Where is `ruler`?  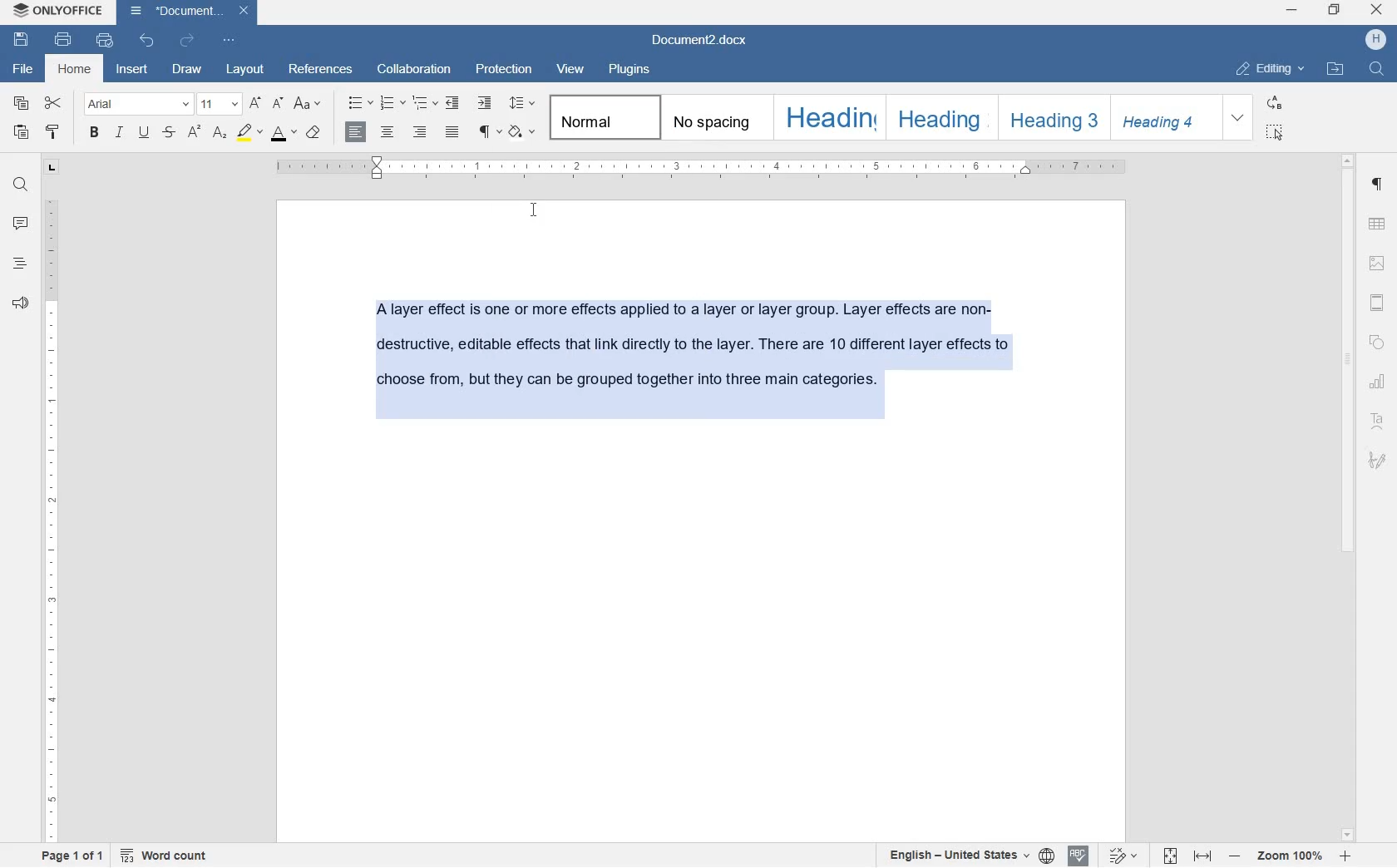
ruler is located at coordinates (51, 516).